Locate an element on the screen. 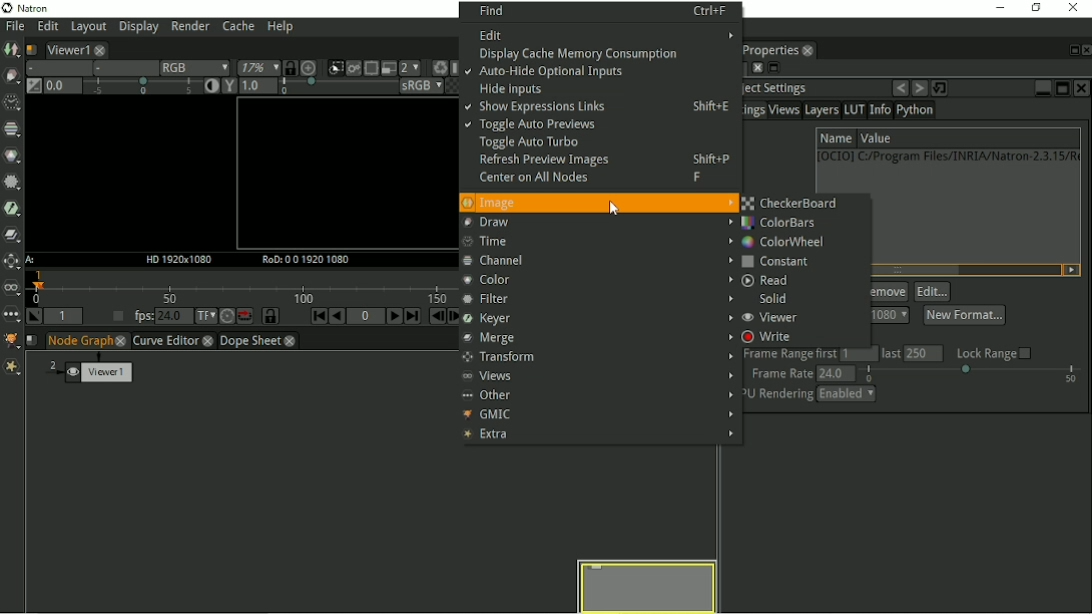  Minimize is located at coordinates (1042, 86).